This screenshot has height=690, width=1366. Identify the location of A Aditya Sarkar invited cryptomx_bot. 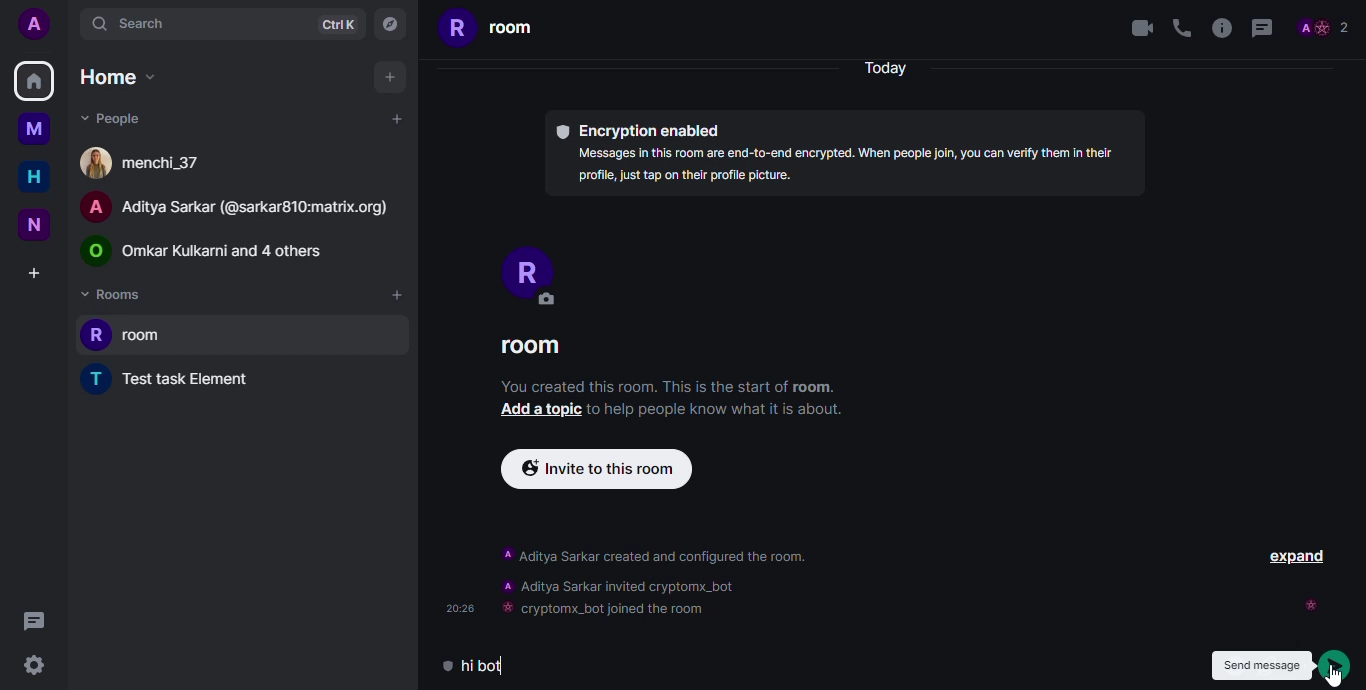
(622, 587).